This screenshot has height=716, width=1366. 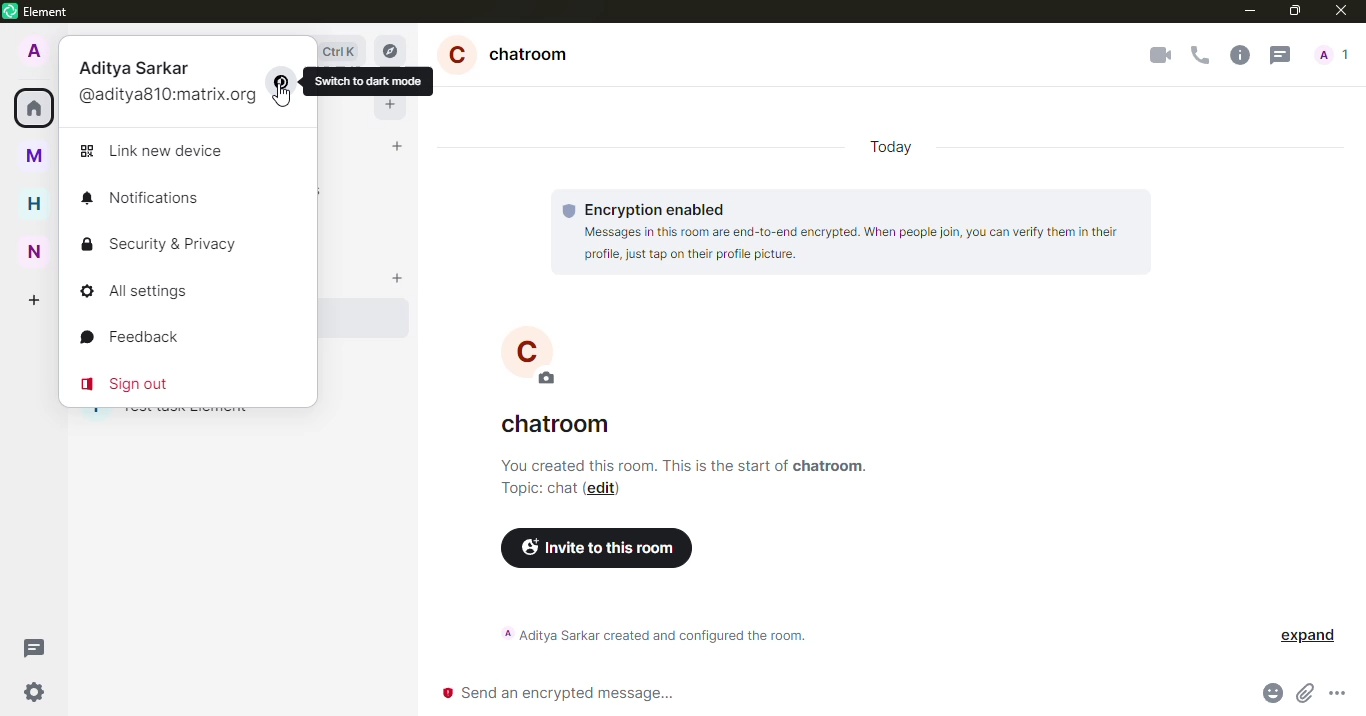 What do you see at coordinates (145, 198) in the screenshot?
I see `notifications` at bounding box center [145, 198].